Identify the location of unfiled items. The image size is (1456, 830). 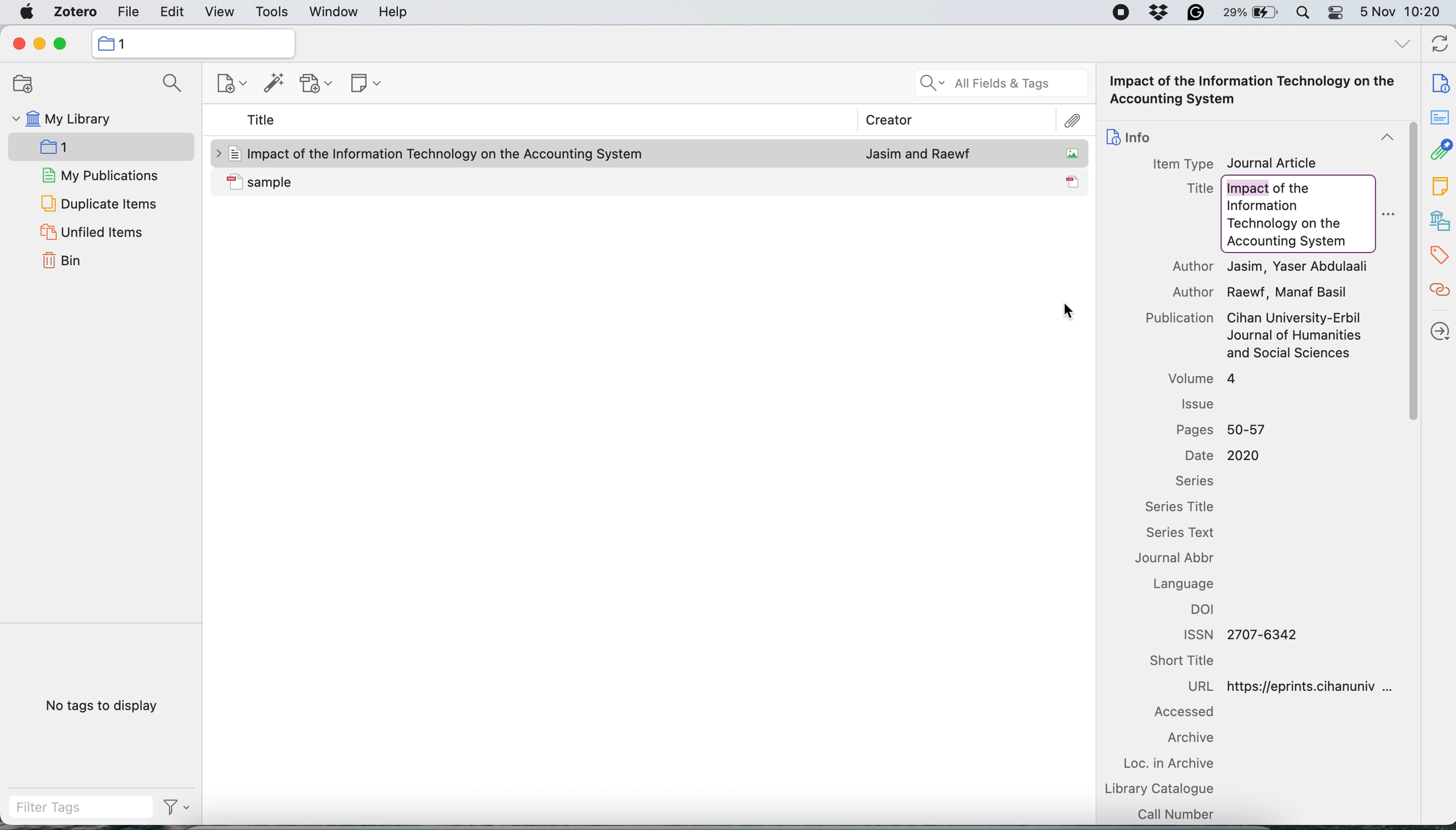
(92, 232).